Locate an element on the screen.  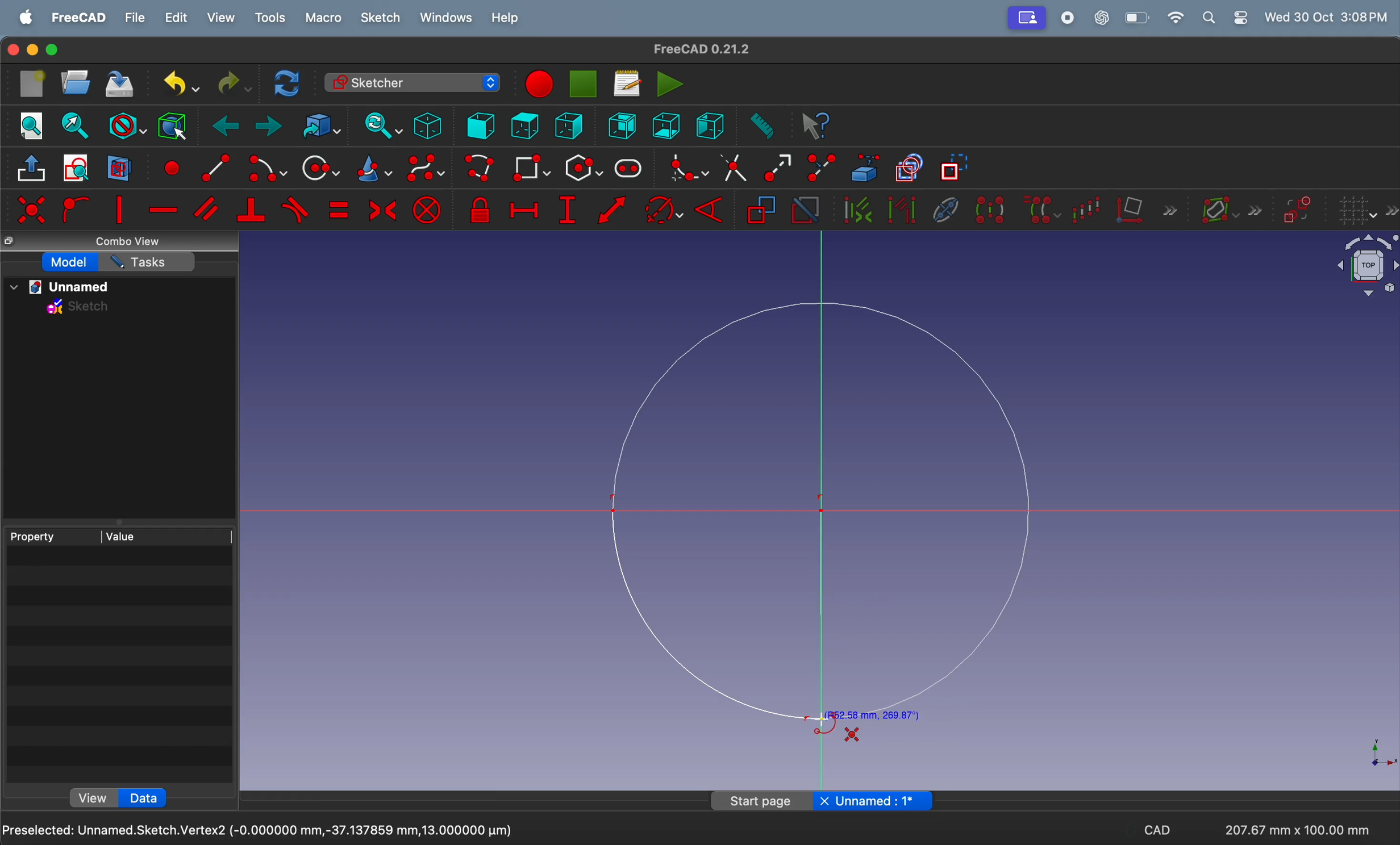
switch virtual space is located at coordinates (1298, 210).